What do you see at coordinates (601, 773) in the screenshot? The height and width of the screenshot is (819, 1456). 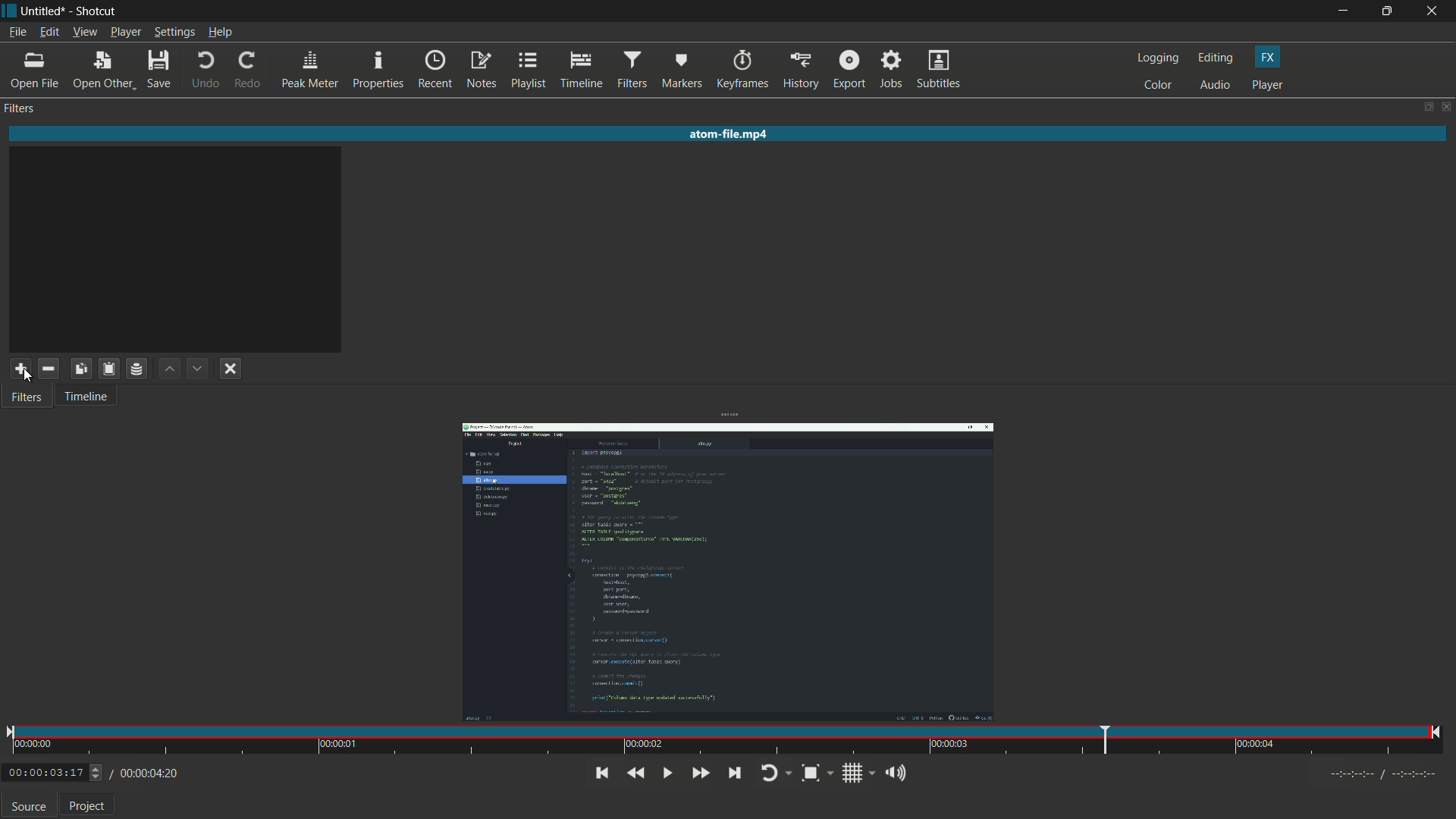 I see `skip to the previous point` at bounding box center [601, 773].